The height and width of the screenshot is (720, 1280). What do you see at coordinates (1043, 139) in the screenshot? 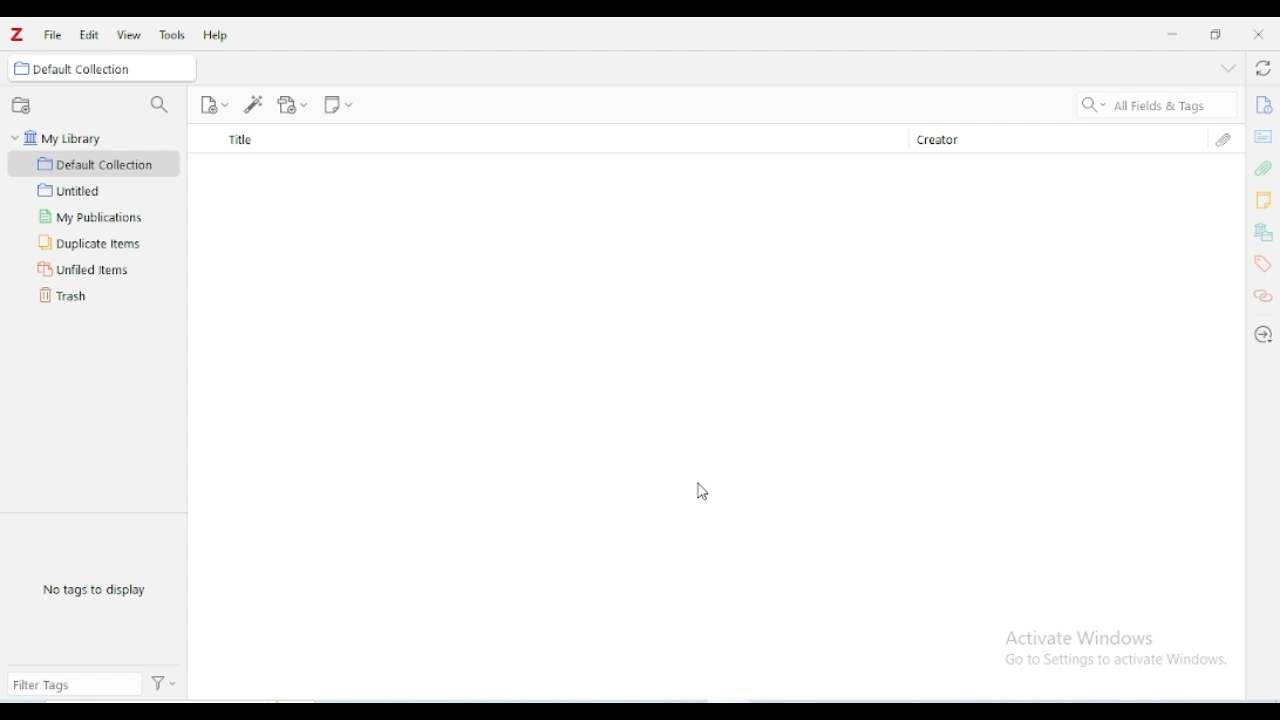
I see `creator` at bounding box center [1043, 139].